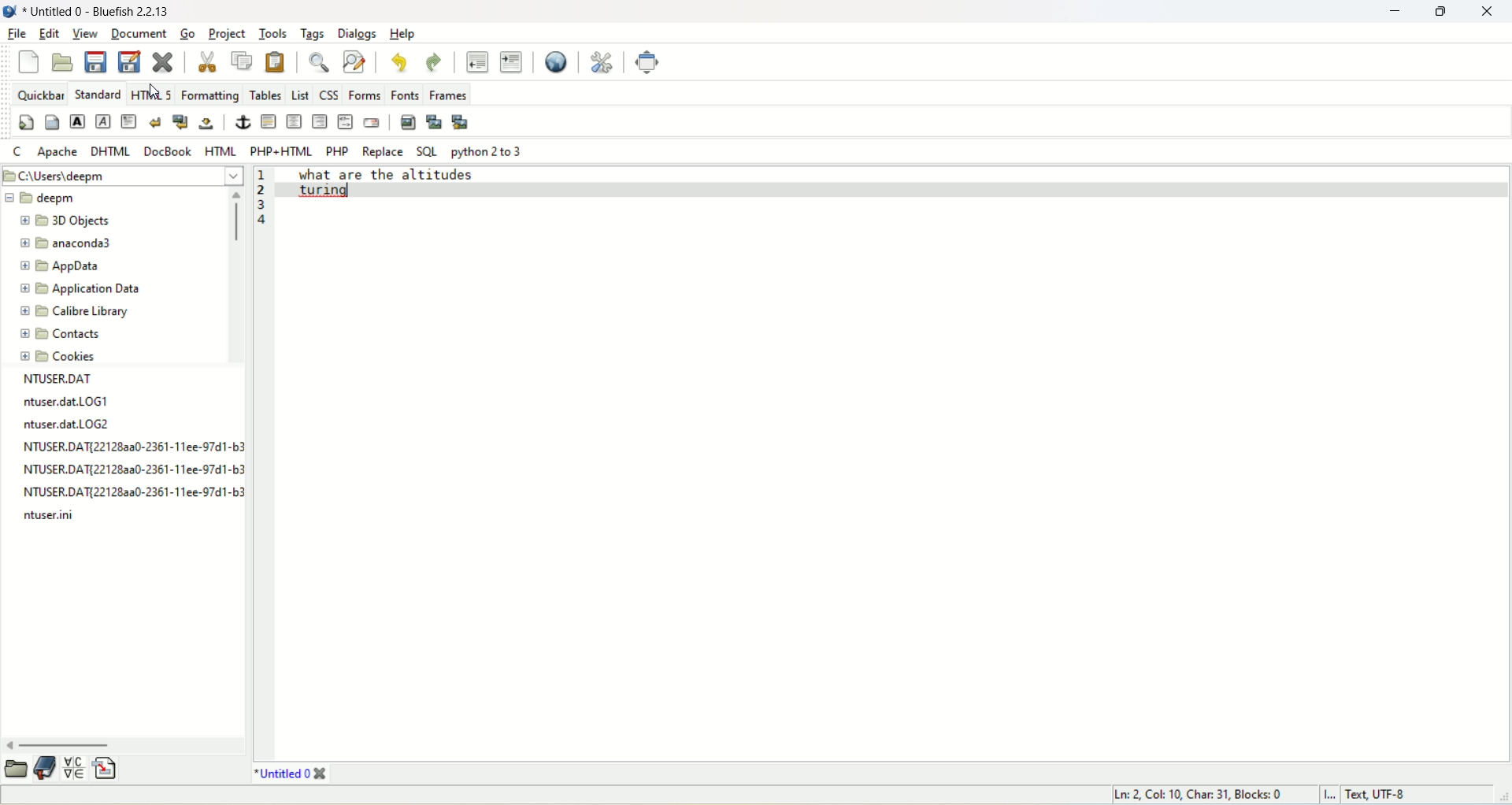  I want to click on document, so click(137, 33).